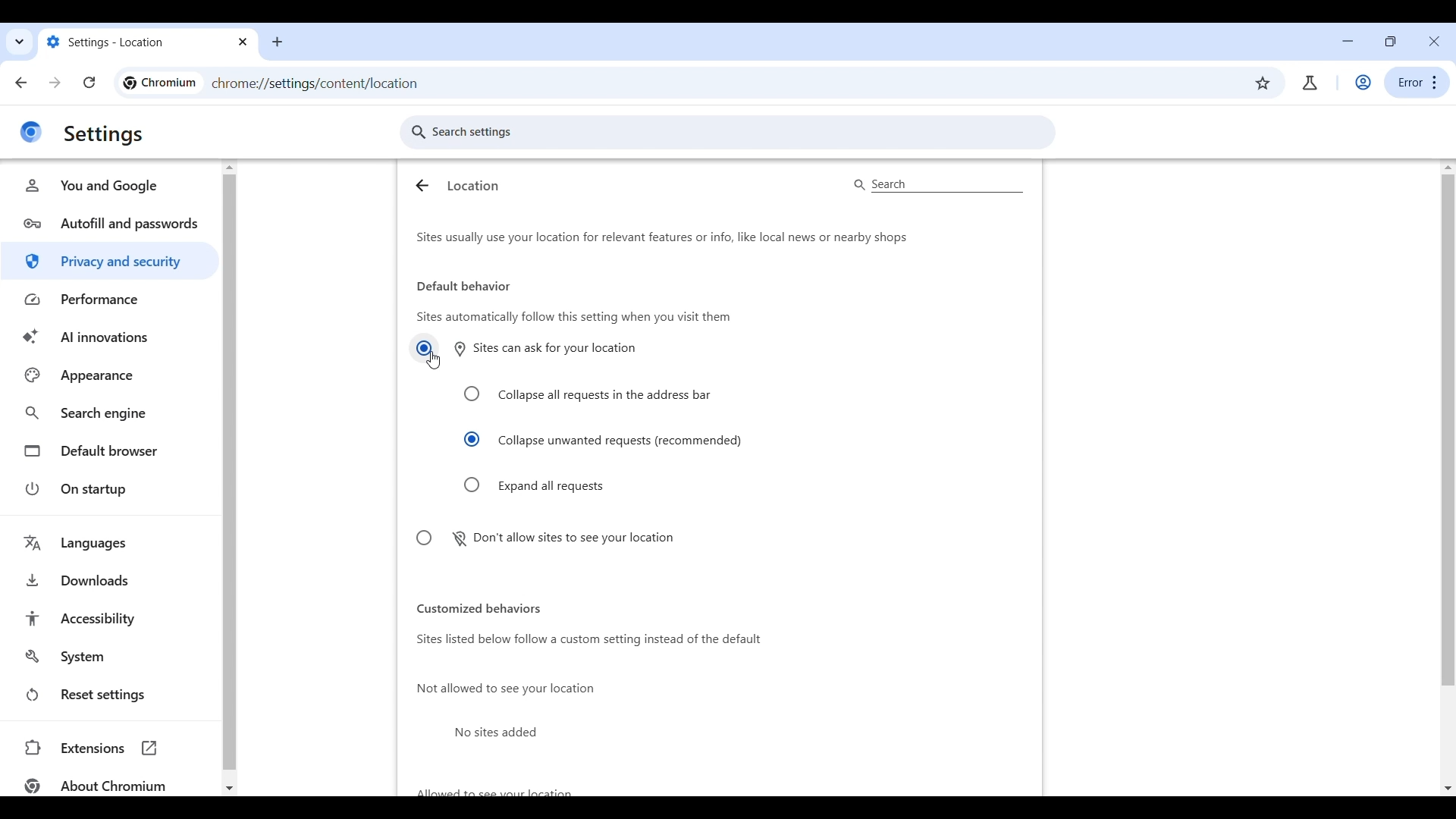 The height and width of the screenshot is (819, 1456). What do you see at coordinates (477, 185) in the screenshot?
I see `location ` at bounding box center [477, 185].